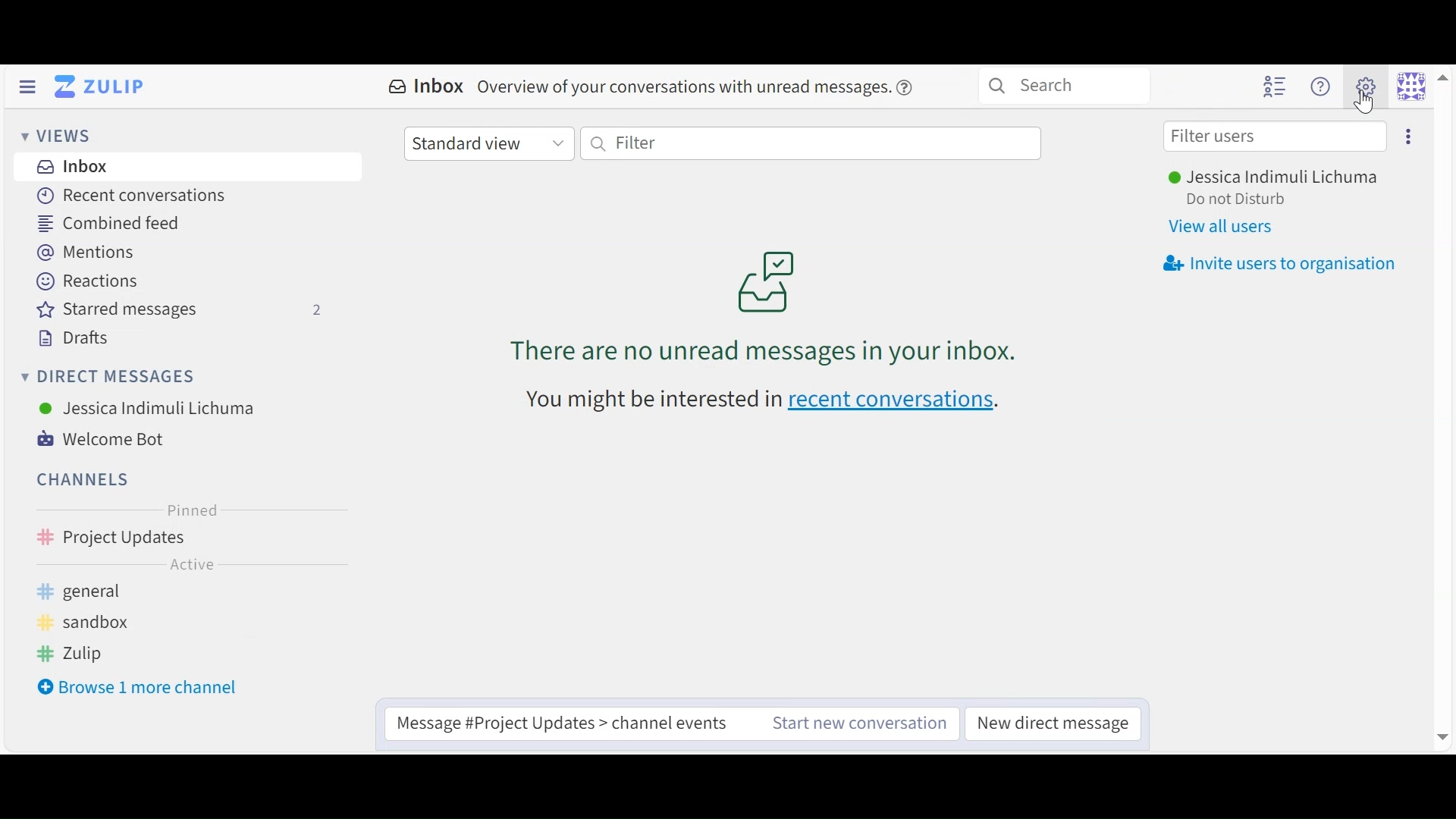 The image size is (1456, 819). Describe the element at coordinates (1222, 224) in the screenshot. I see `View all users` at that location.